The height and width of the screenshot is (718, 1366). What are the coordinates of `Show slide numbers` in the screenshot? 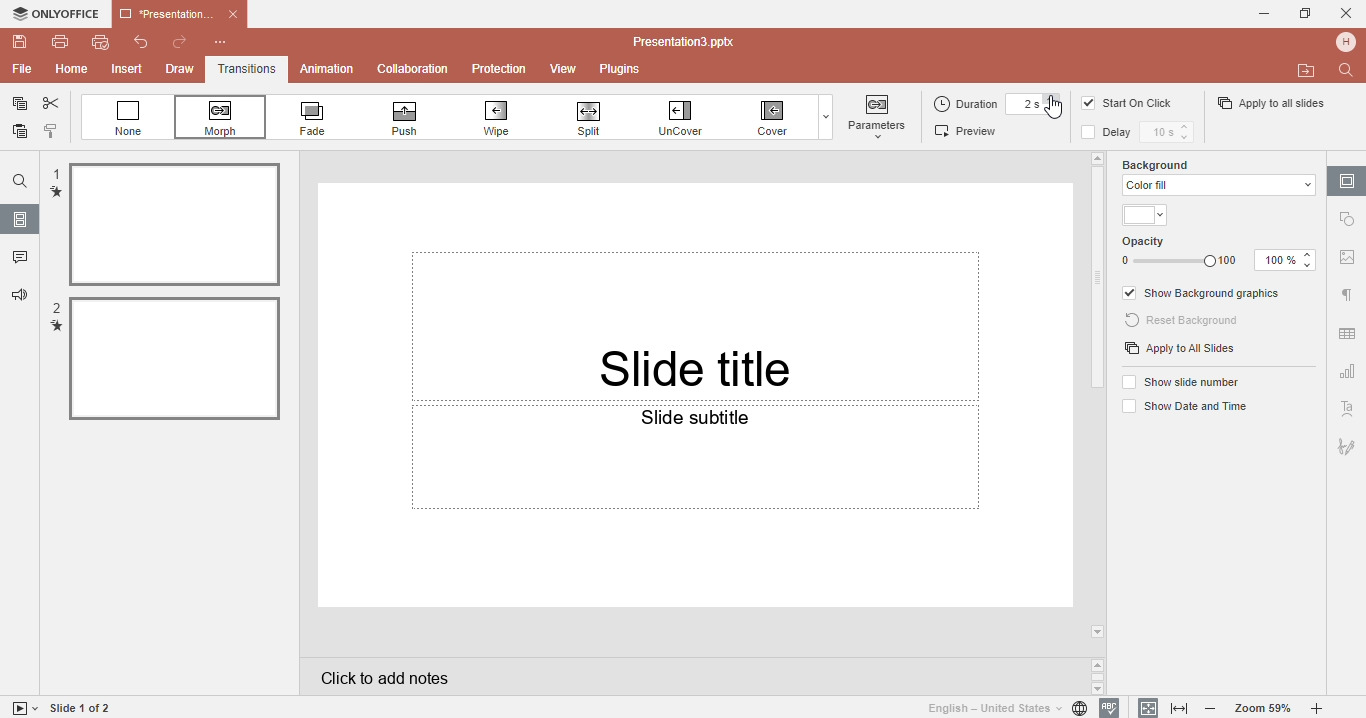 It's located at (1184, 381).